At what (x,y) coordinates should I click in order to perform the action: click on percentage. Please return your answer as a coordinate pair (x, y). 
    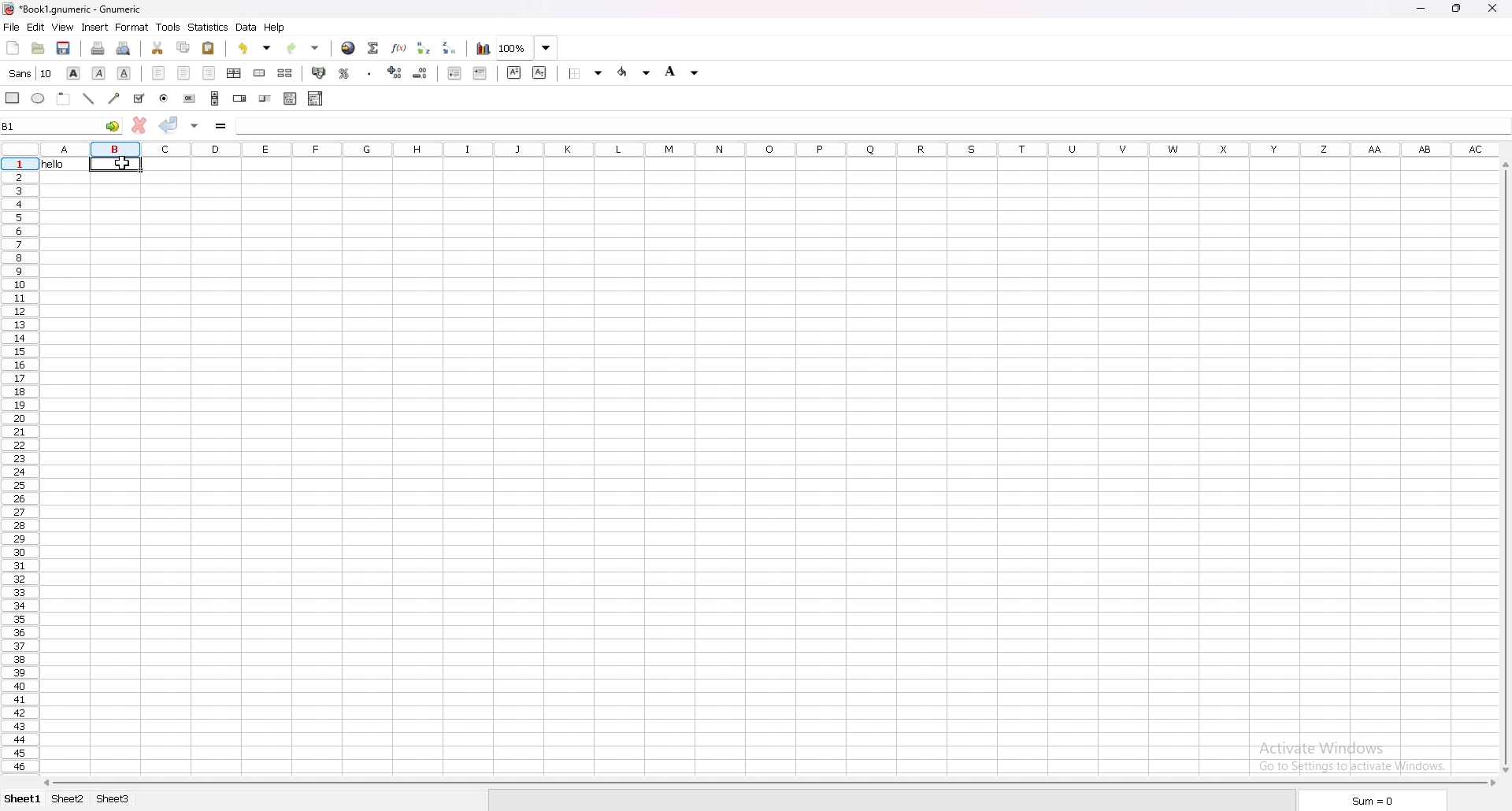
    Looking at the image, I should click on (346, 72).